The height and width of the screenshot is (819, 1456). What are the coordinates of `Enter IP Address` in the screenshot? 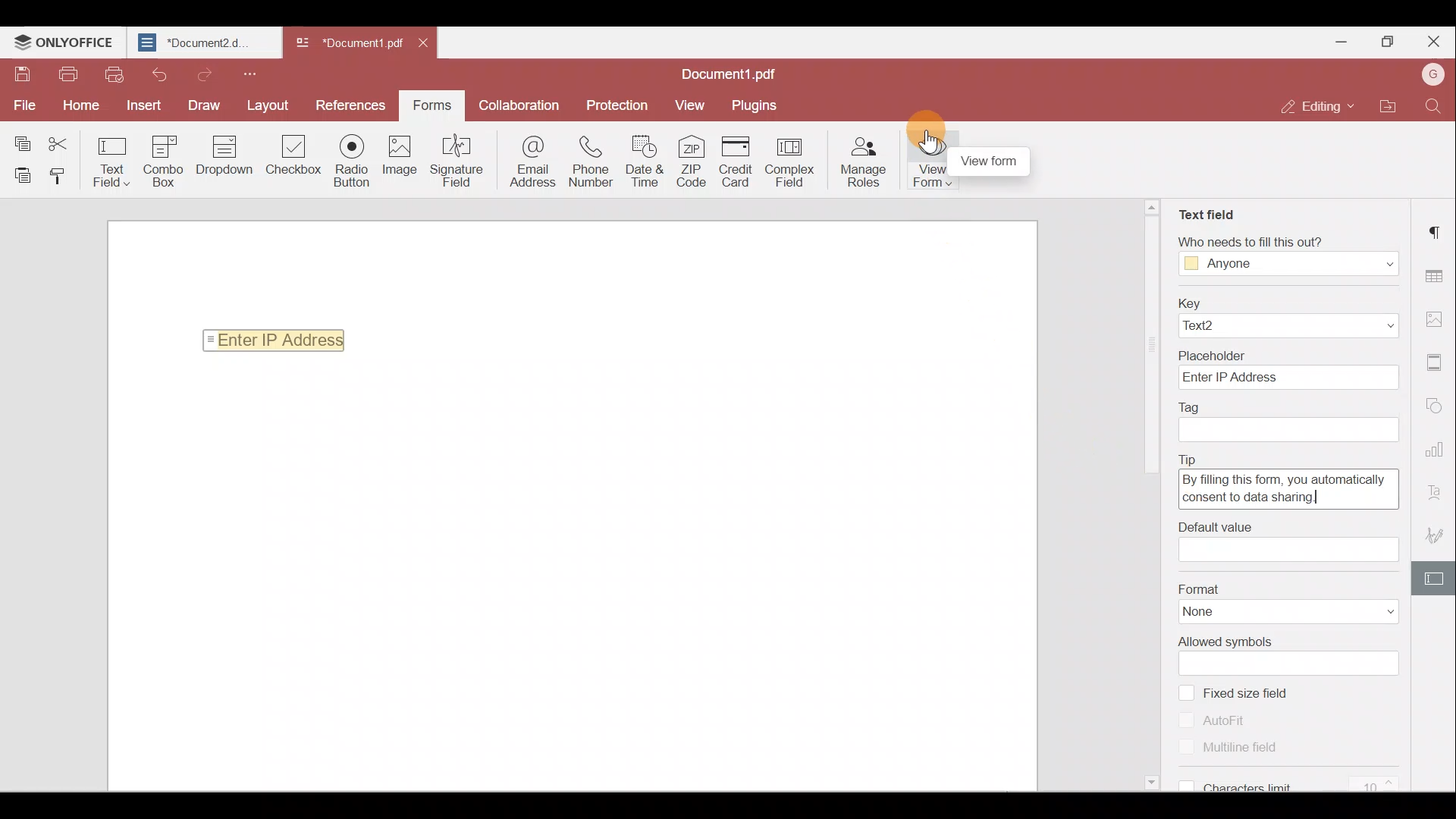 It's located at (270, 340).